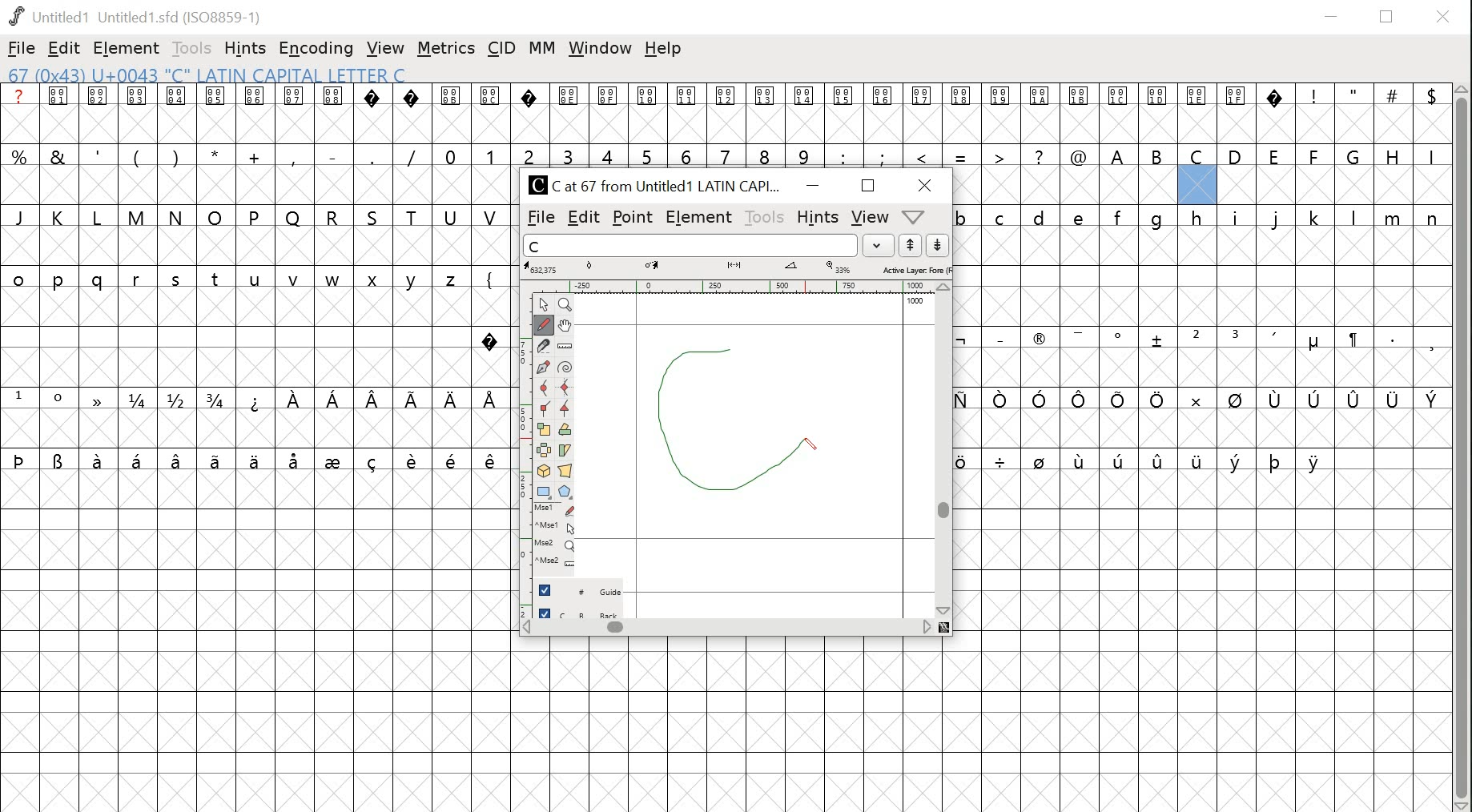 The image size is (1472, 812). Describe the element at coordinates (584, 218) in the screenshot. I see `edit` at that location.